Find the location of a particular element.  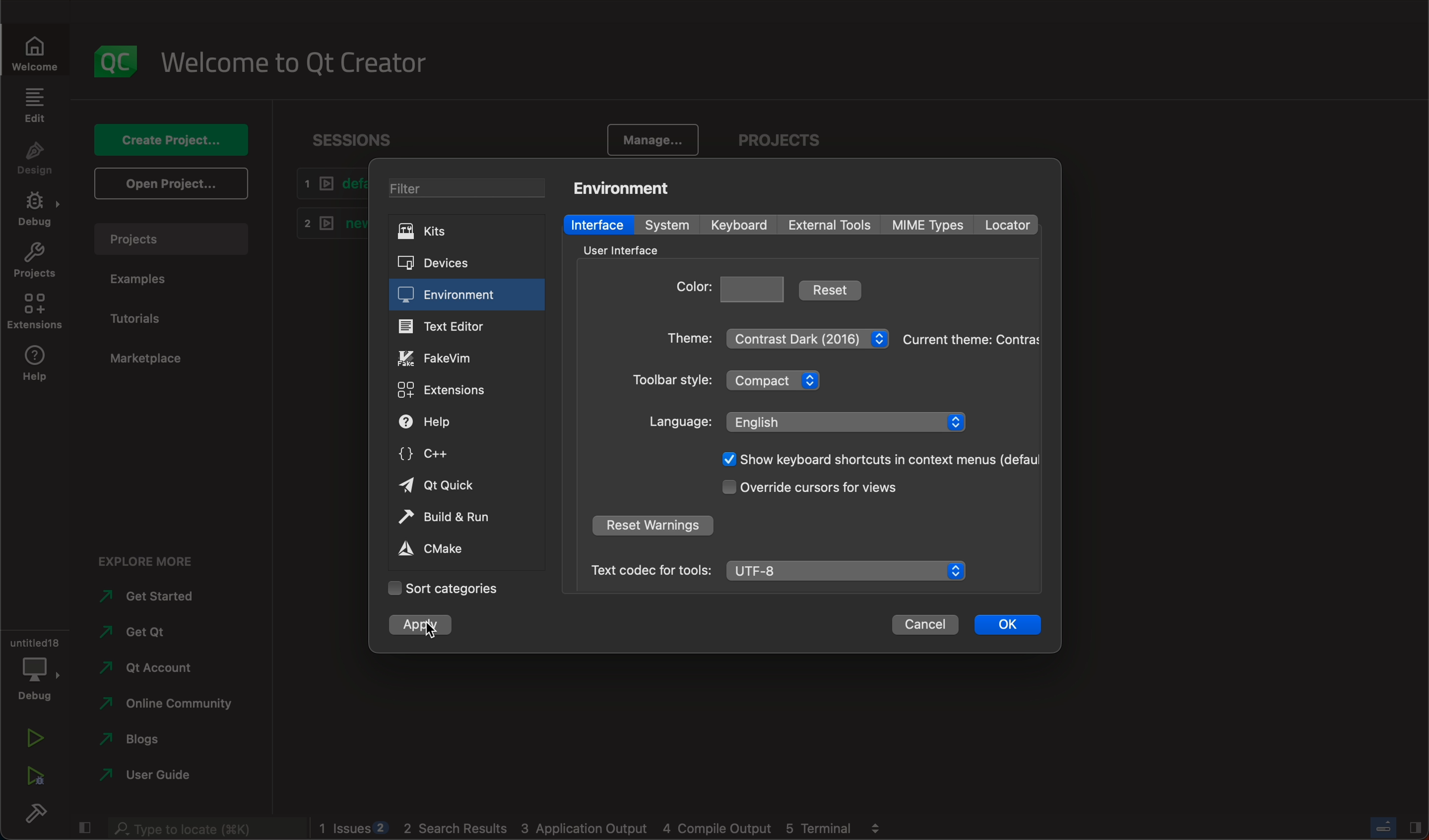

text code is located at coordinates (776, 569).